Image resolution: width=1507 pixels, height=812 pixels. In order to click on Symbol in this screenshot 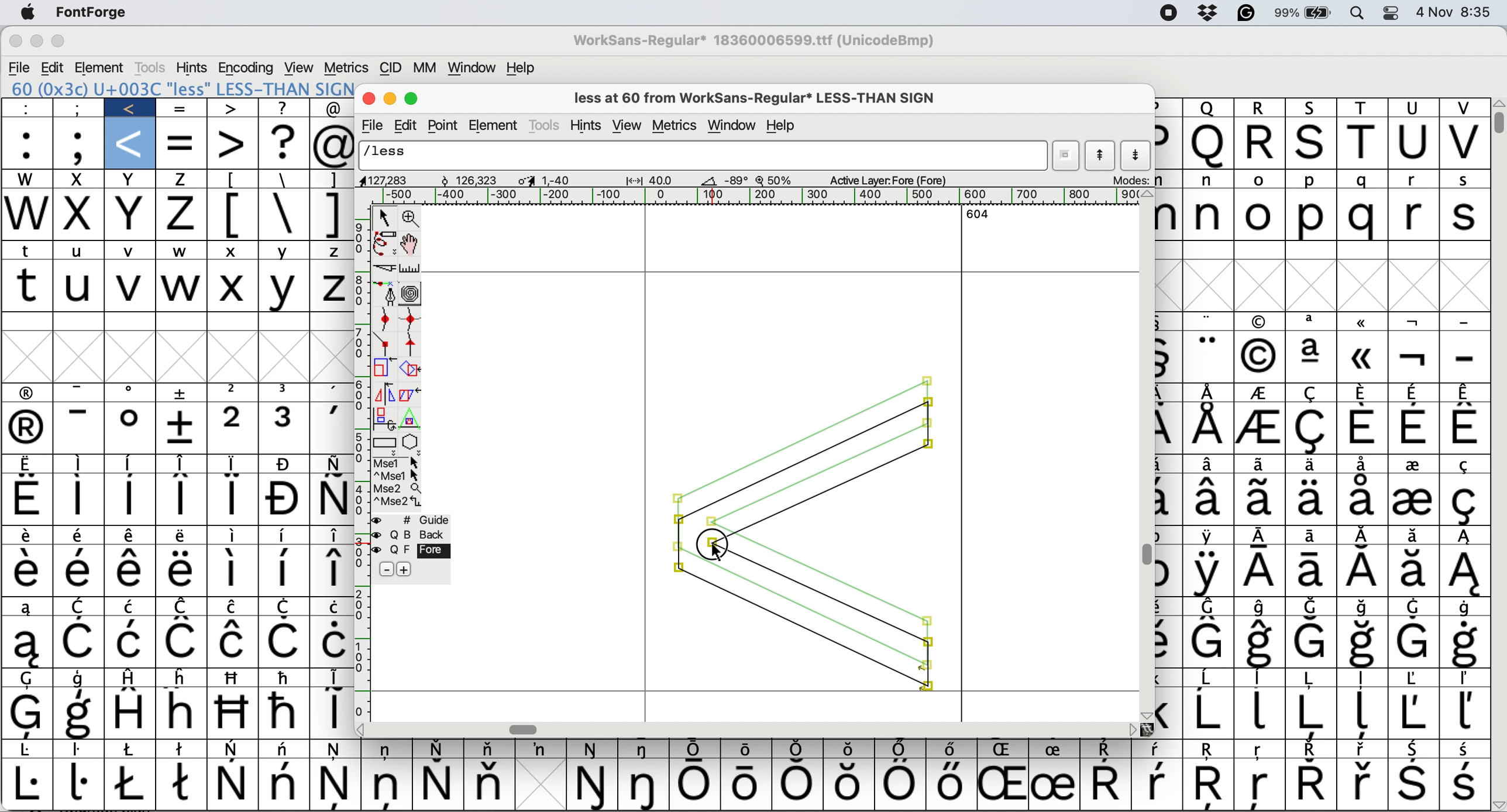, I will do `click(184, 786)`.